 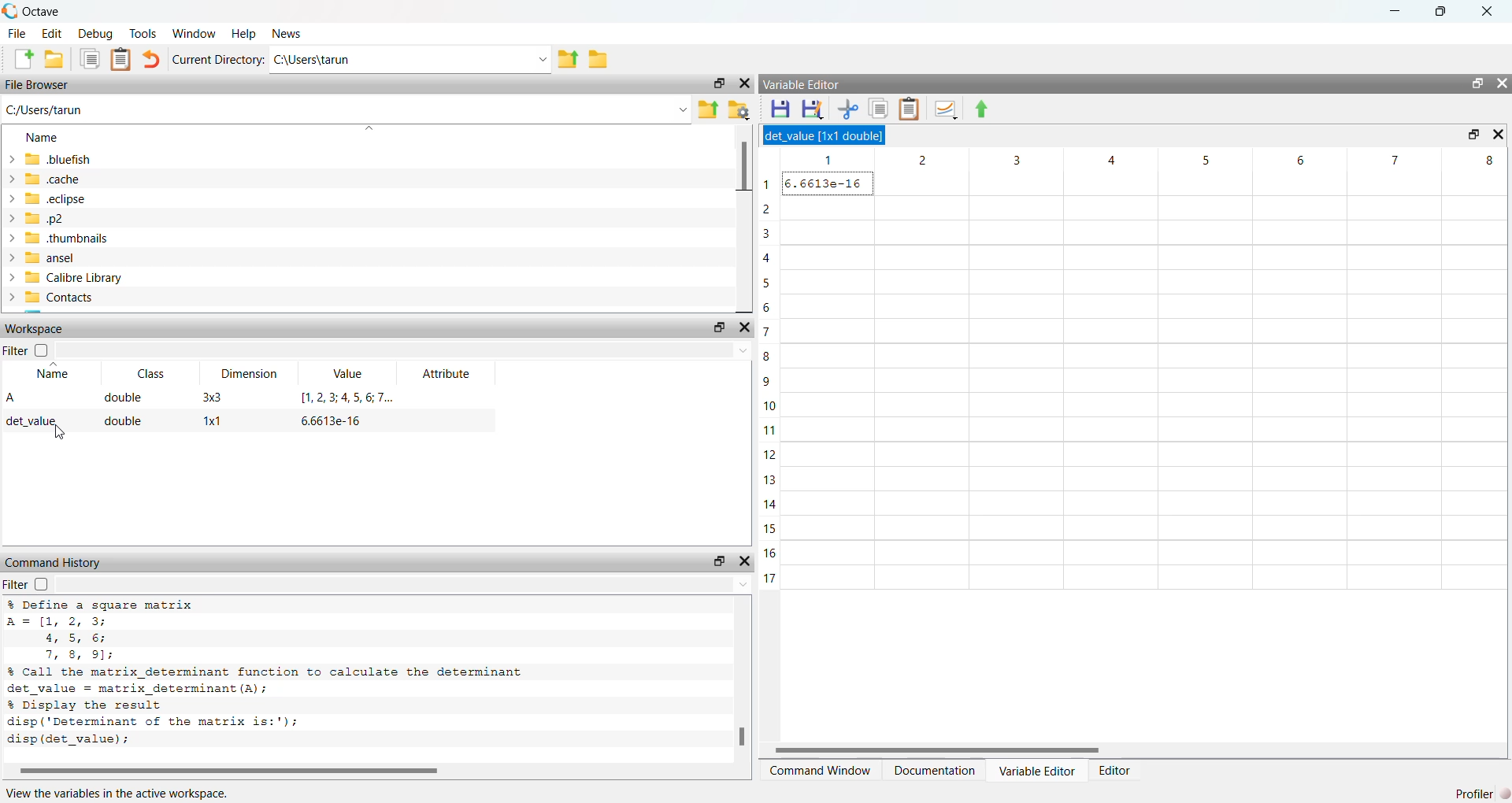 I want to click on contacts, so click(x=54, y=298).